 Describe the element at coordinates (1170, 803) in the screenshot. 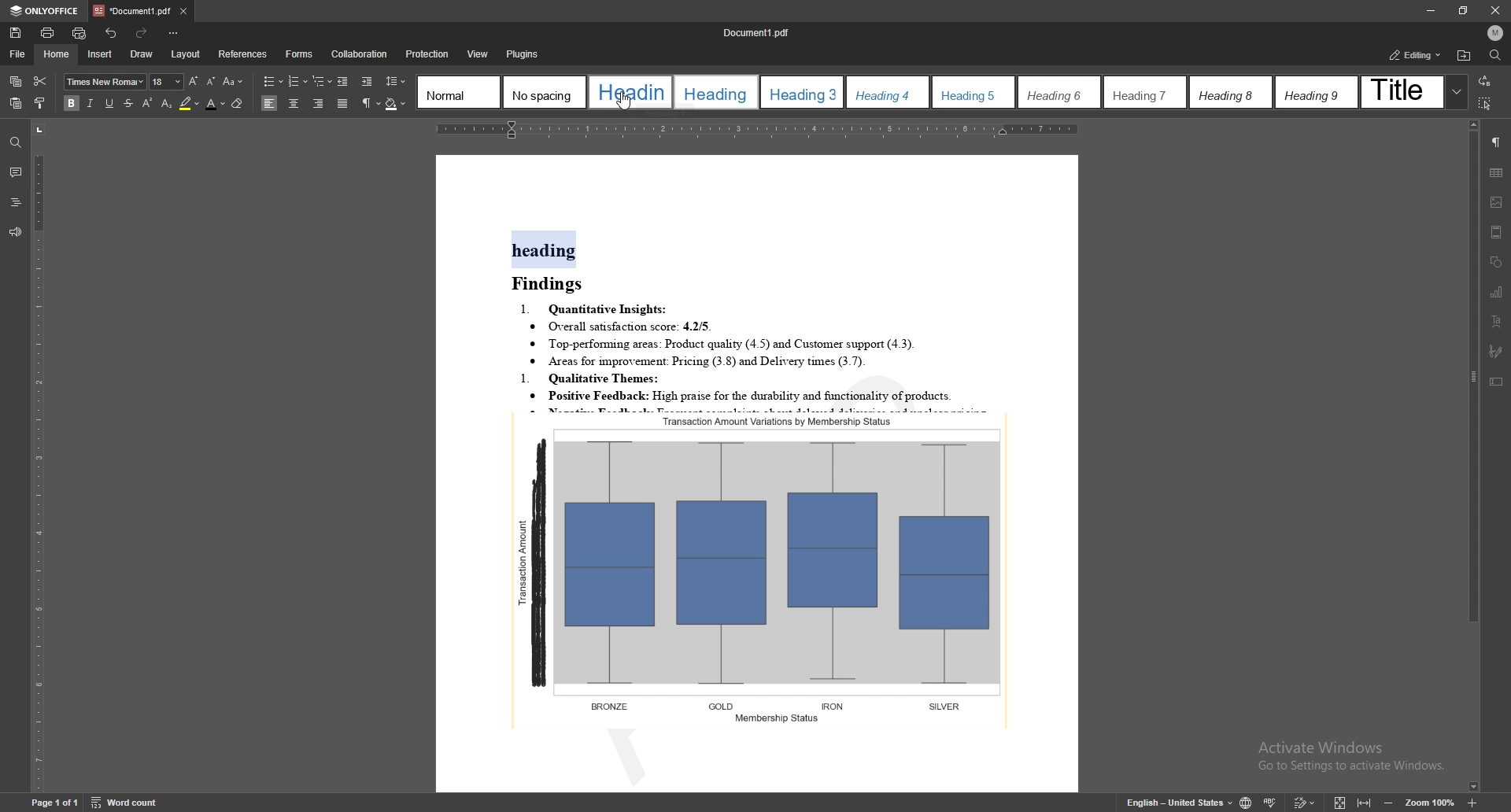

I see `English- United kingdom` at that location.